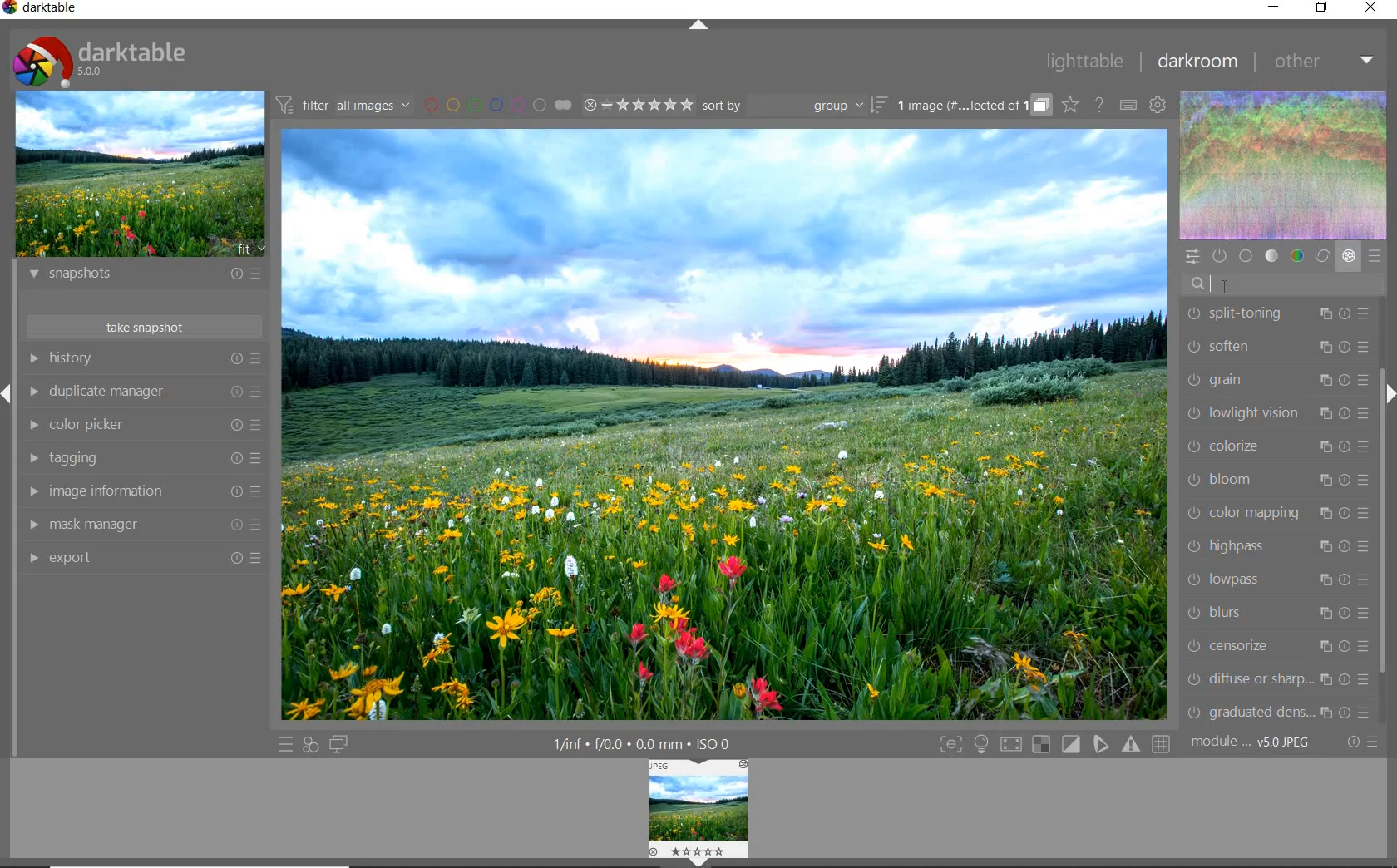 This screenshot has height=868, width=1397. What do you see at coordinates (1272, 254) in the screenshot?
I see `tone` at bounding box center [1272, 254].